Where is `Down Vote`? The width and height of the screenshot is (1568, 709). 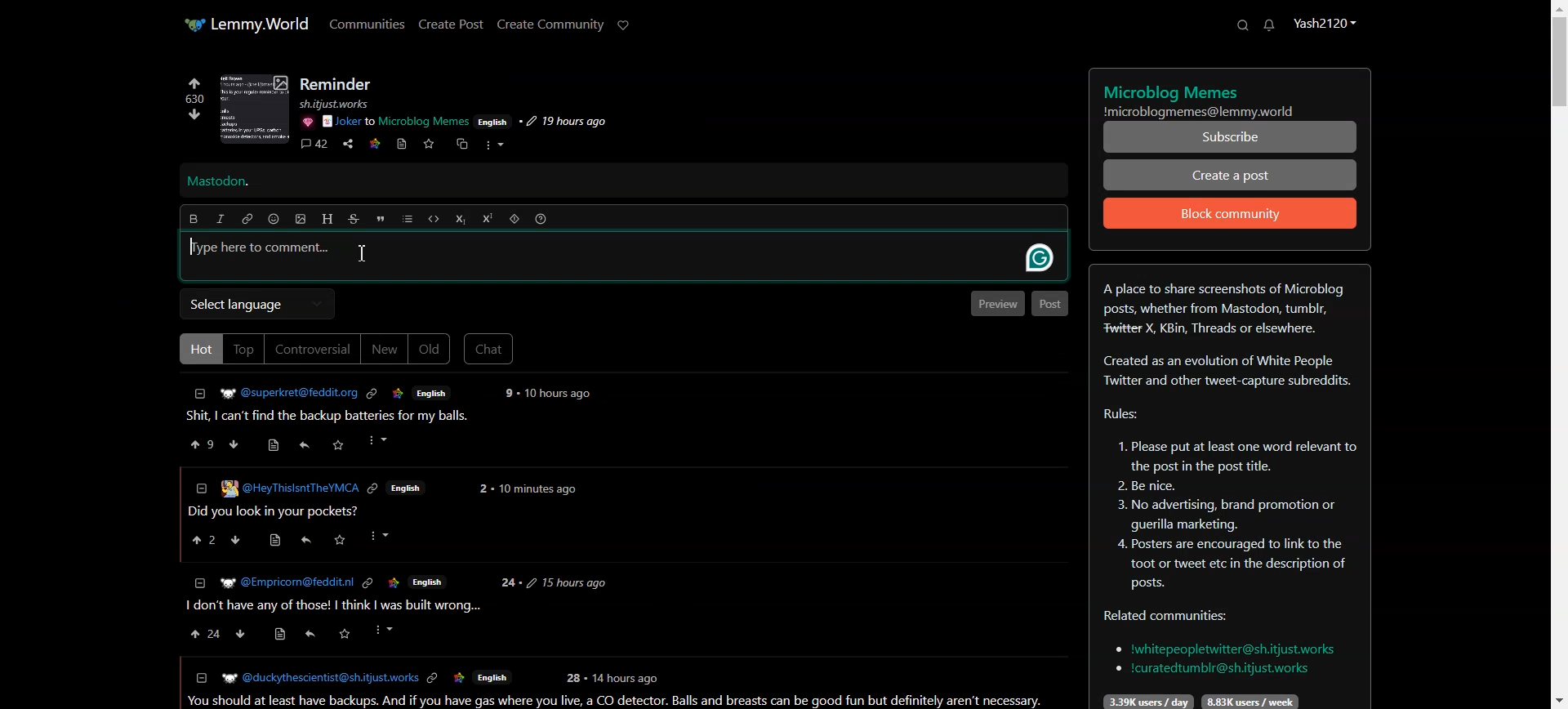 Down Vote is located at coordinates (234, 444).